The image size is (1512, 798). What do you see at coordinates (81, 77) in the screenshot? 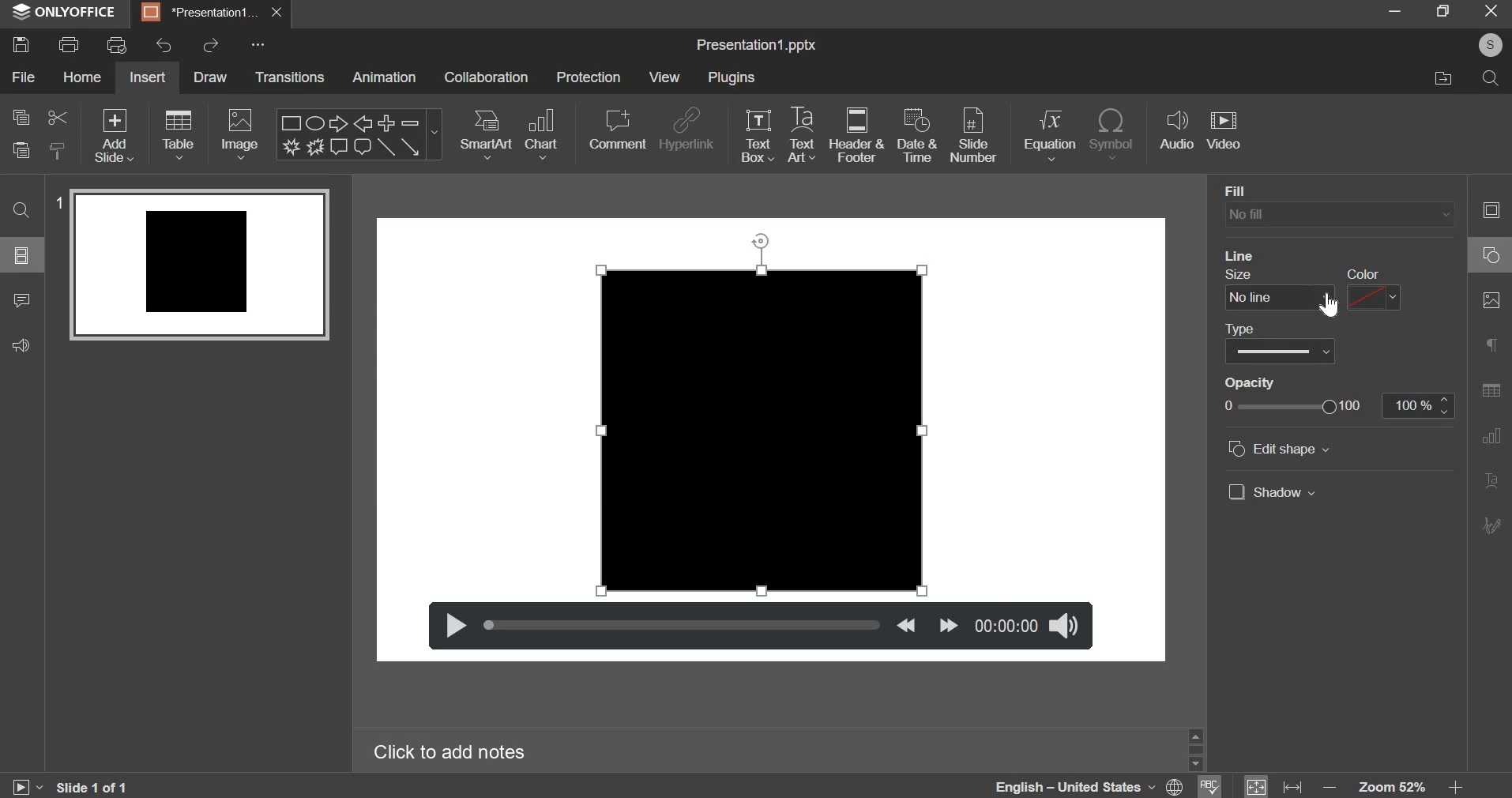
I see `home` at bounding box center [81, 77].